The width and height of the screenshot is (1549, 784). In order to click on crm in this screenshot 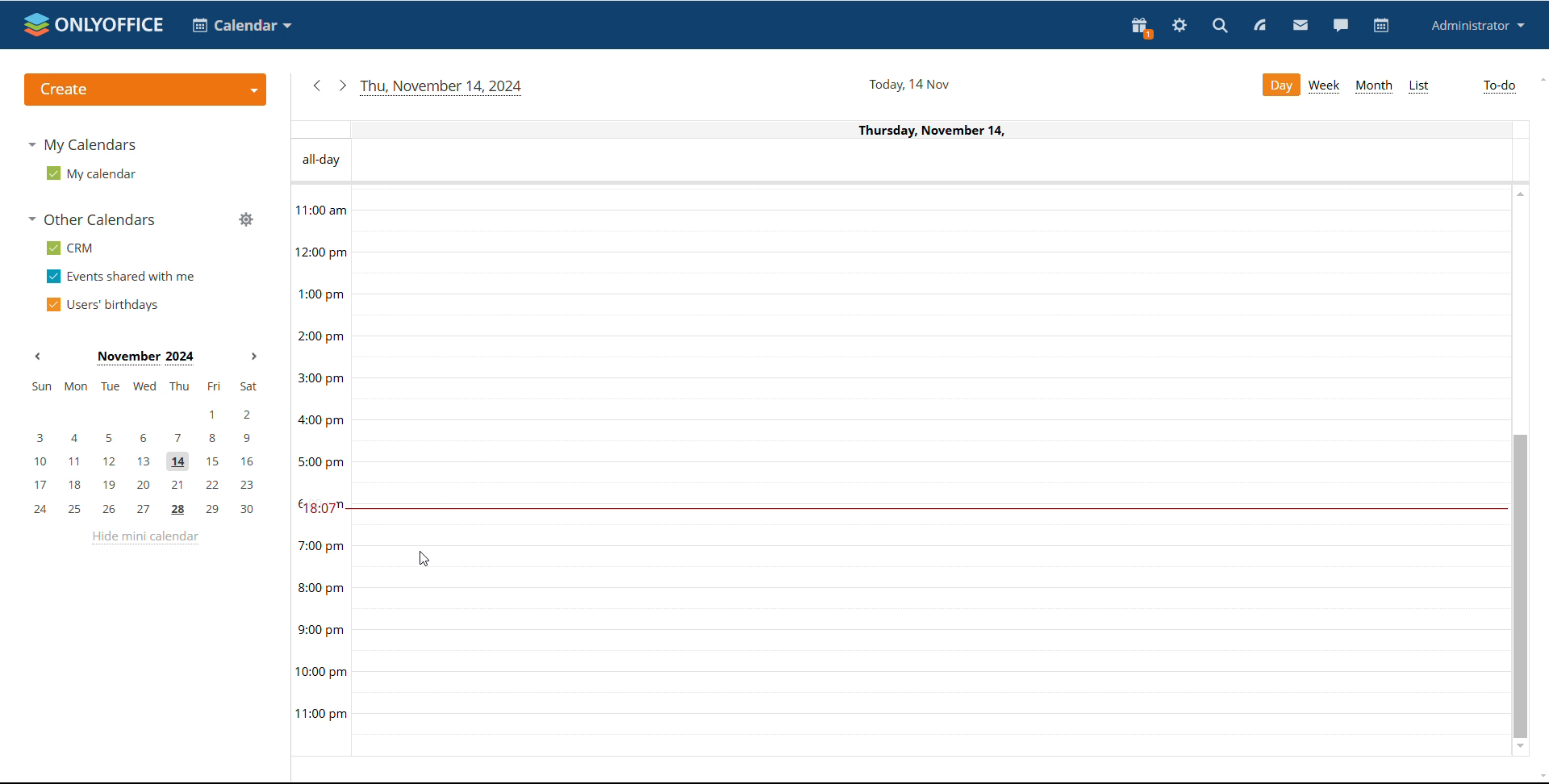, I will do `click(69, 248)`.